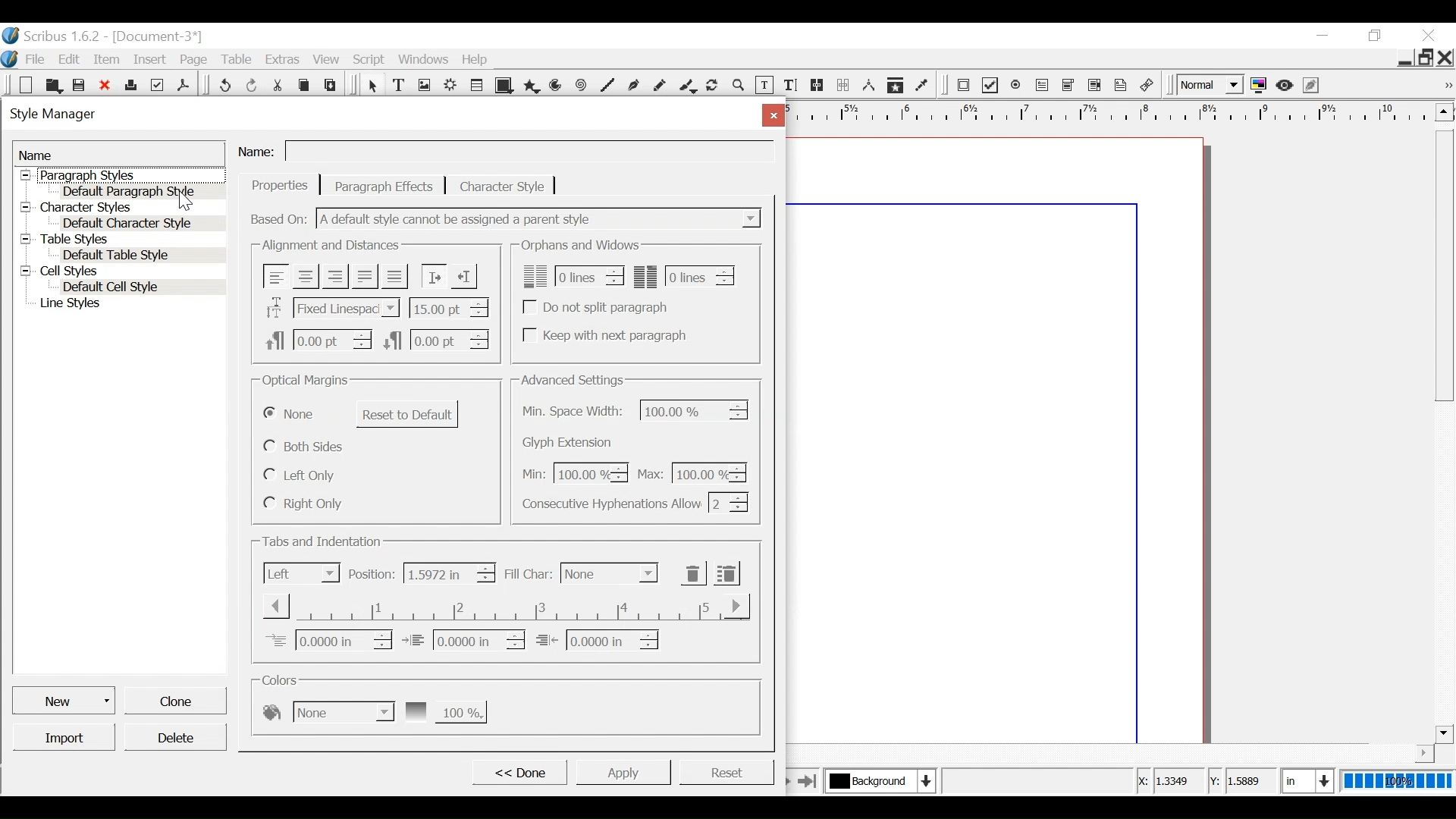 The height and width of the screenshot is (819, 1456). Describe the element at coordinates (695, 409) in the screenshot. I see `Expressed as a percentage of the white space` at that location.